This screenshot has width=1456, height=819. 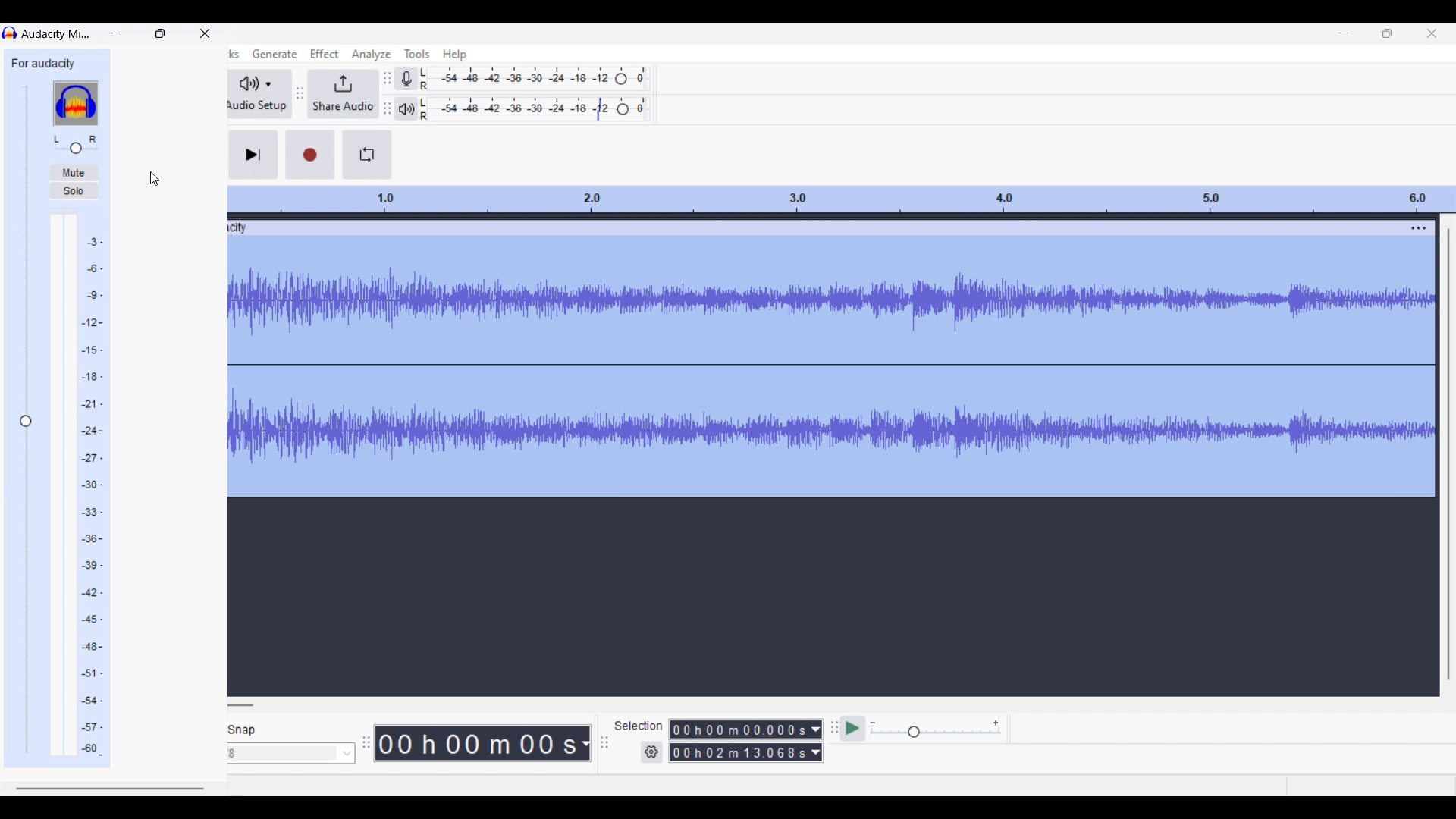 I want to click on Close interface, so click(x=1432, y=33).